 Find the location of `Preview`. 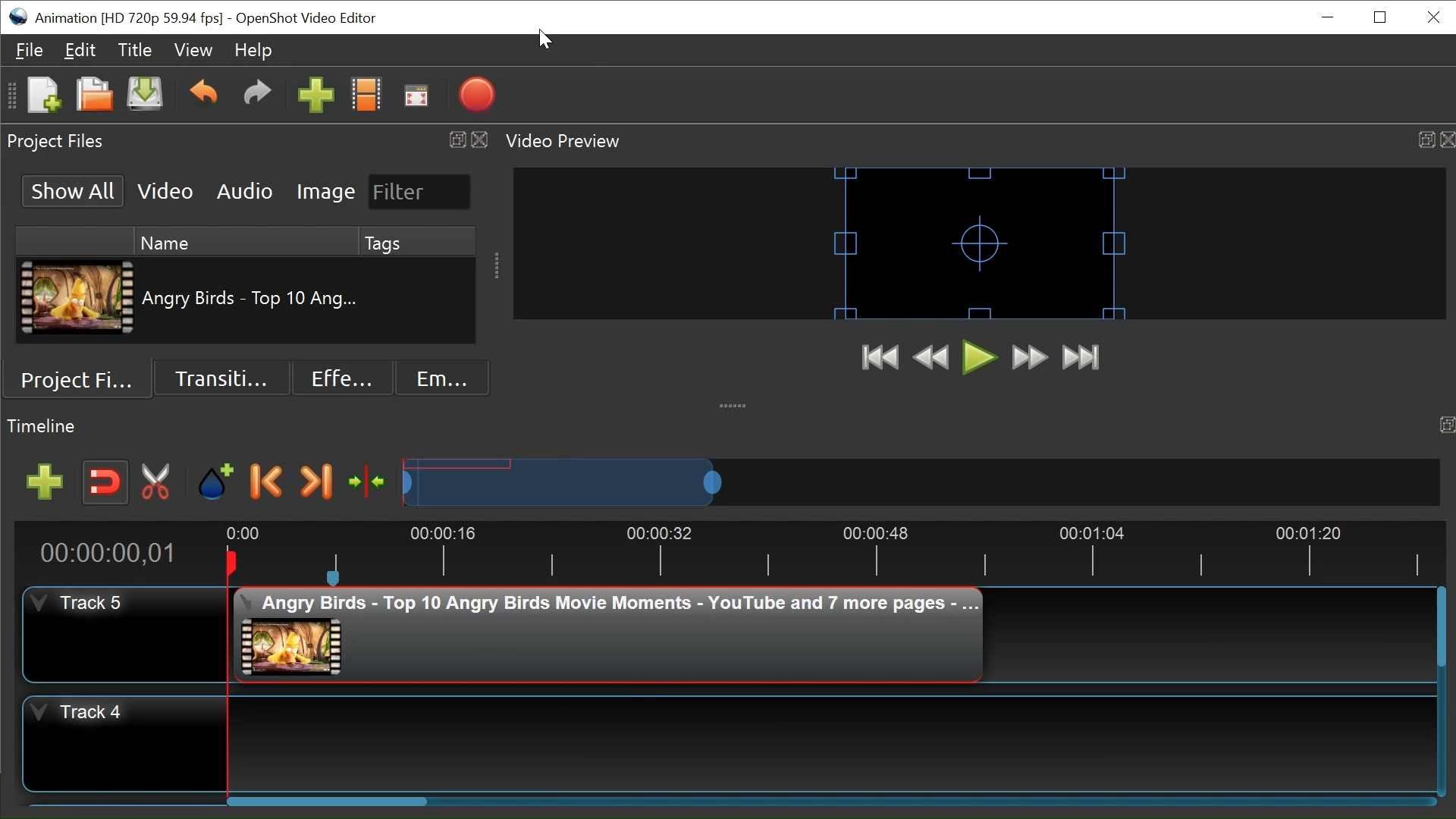

Preview is located at coordinates (934, 359).